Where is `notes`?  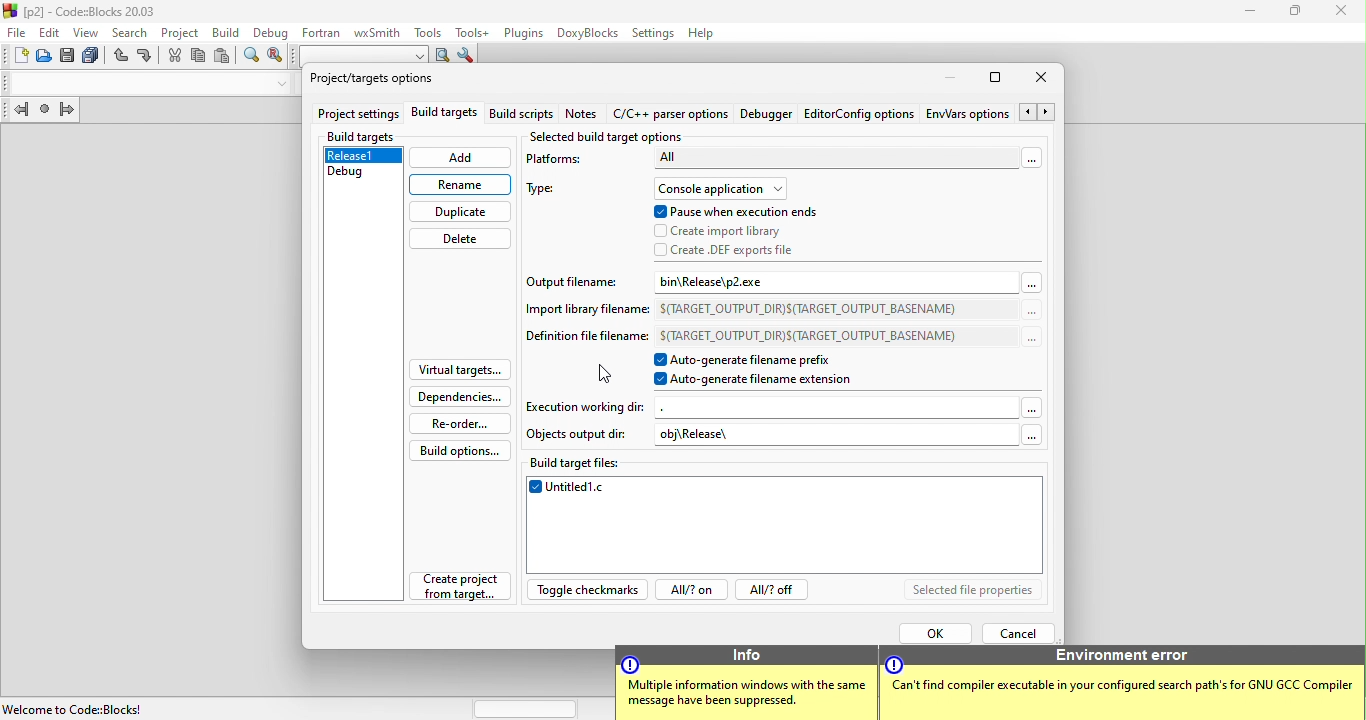
notes is located at coordinates (589, 115).